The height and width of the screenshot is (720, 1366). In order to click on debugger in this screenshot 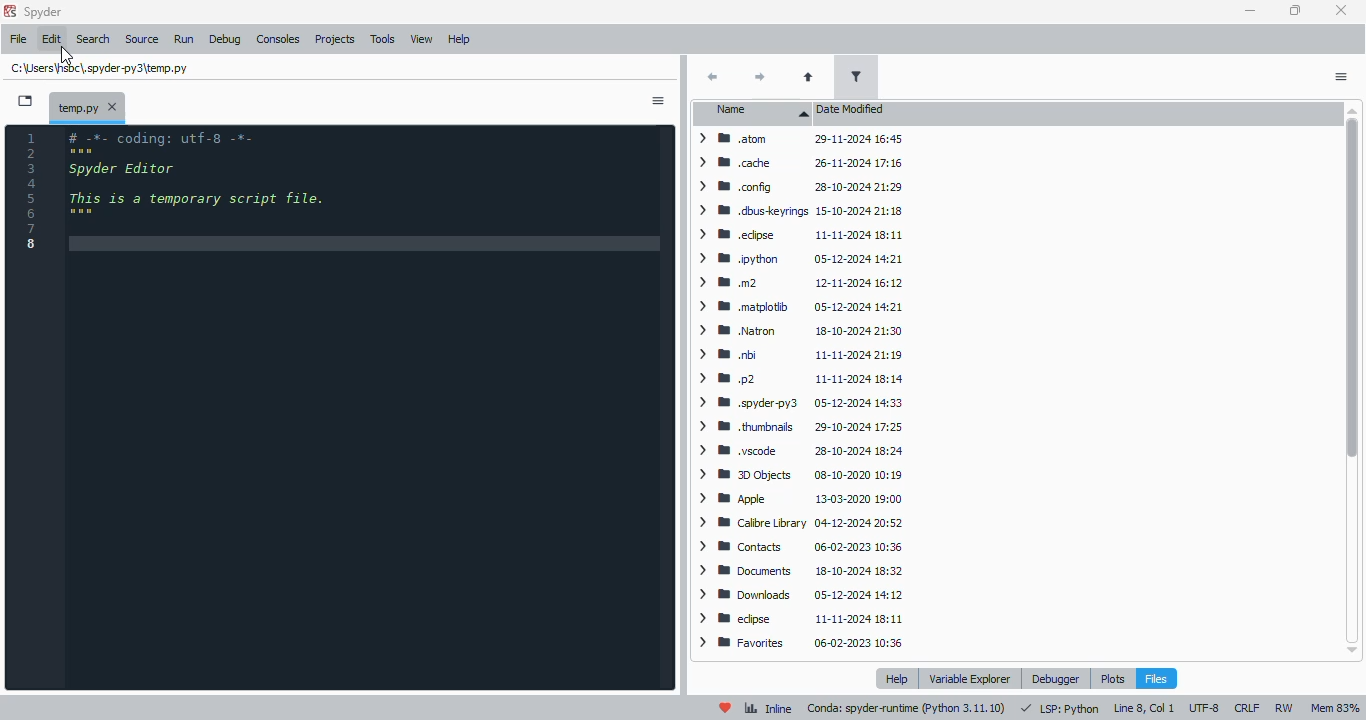, I will do `click(1057, 678)`.